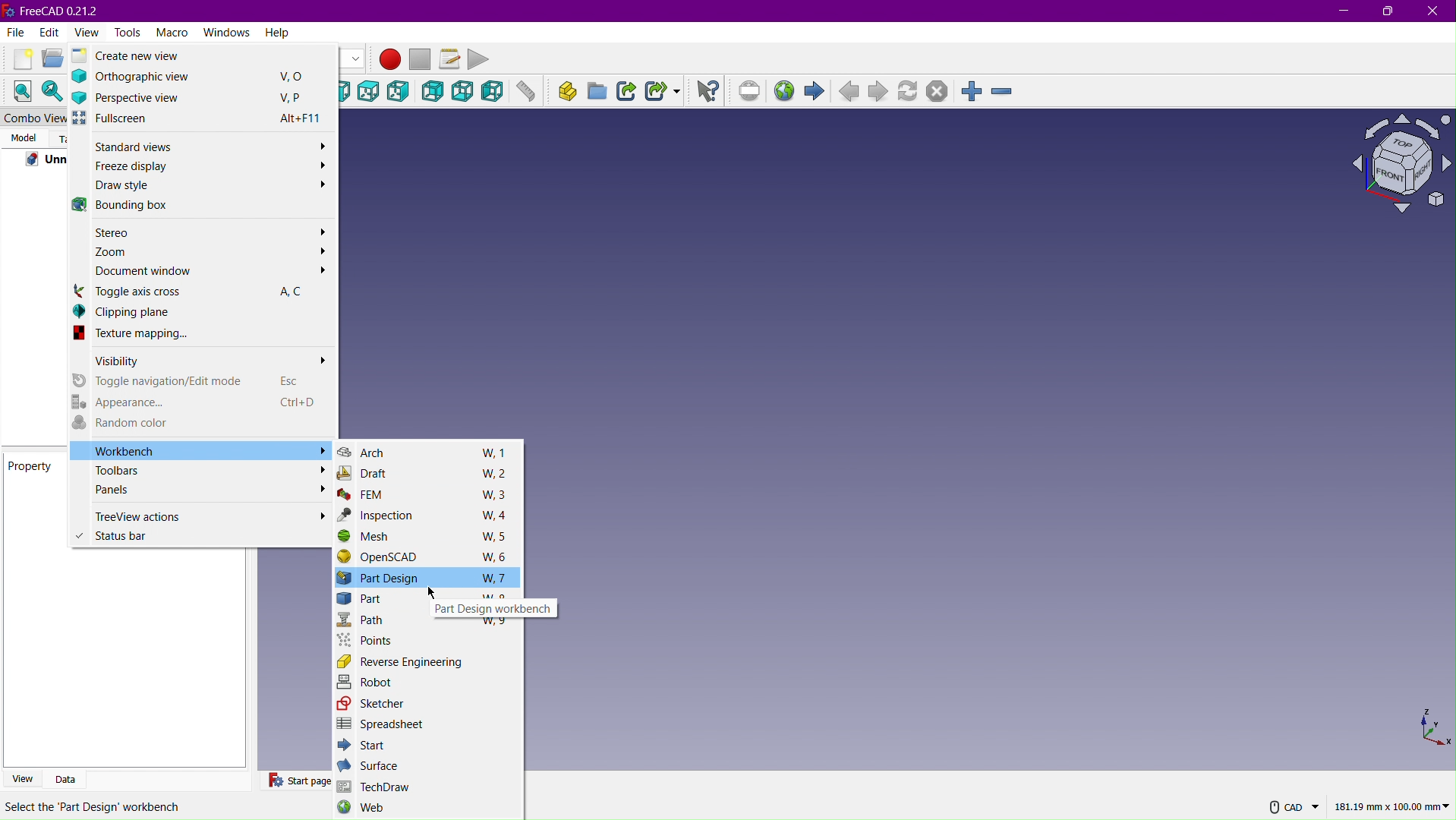 This screenshot has width=1456, height=820. What do you see at coordinates (55, 9) in the screenshot?
I see `FreeCAD 0.21.2` at bounding box center [55, 9].